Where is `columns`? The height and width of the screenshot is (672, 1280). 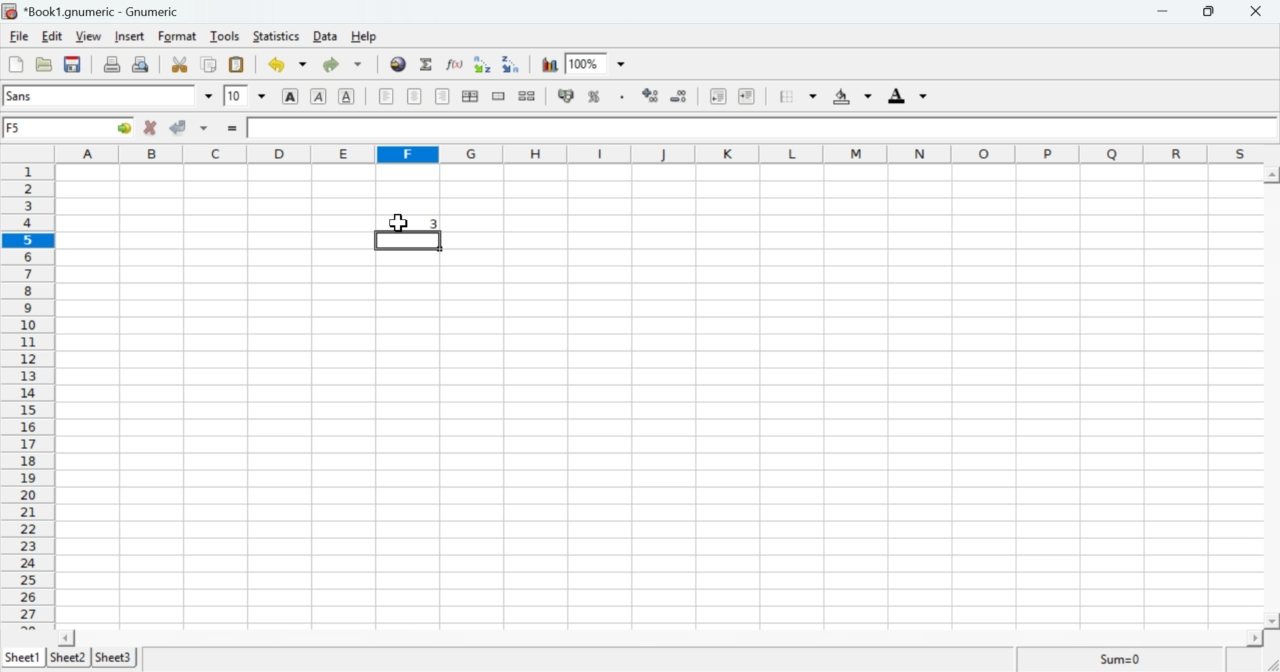 columns is located at coordinates (654, 155).